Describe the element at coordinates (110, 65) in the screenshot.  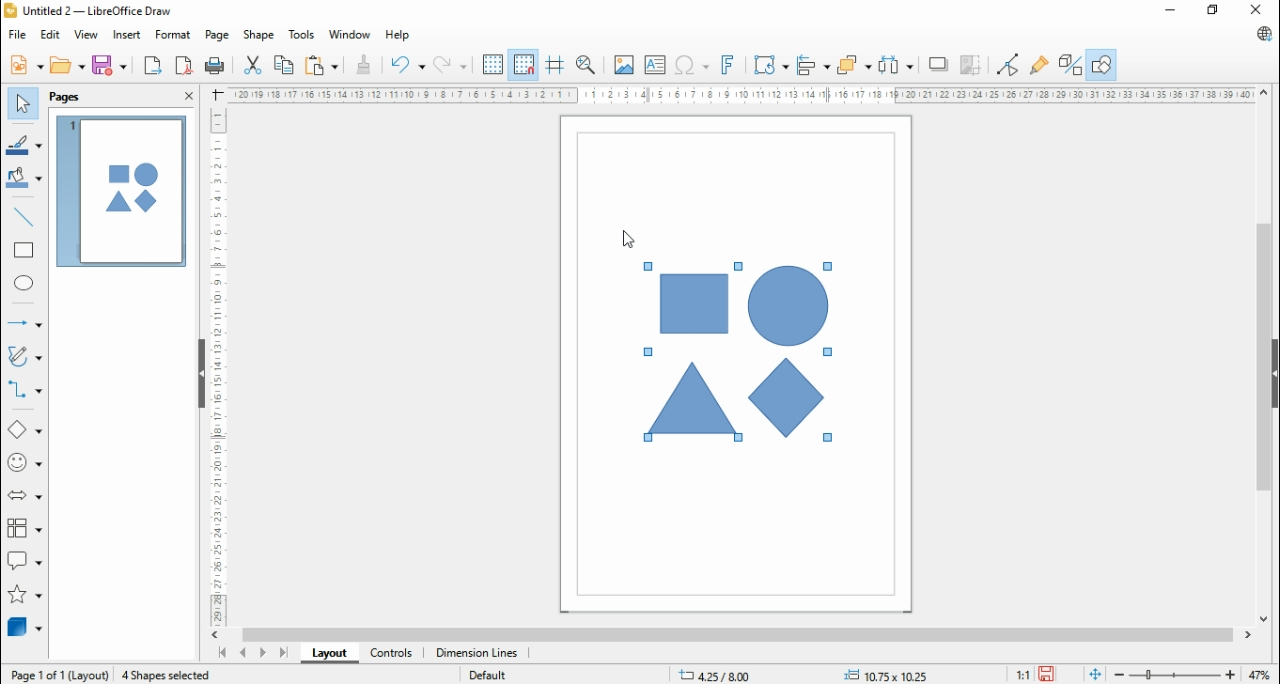
I see `save` at that location.